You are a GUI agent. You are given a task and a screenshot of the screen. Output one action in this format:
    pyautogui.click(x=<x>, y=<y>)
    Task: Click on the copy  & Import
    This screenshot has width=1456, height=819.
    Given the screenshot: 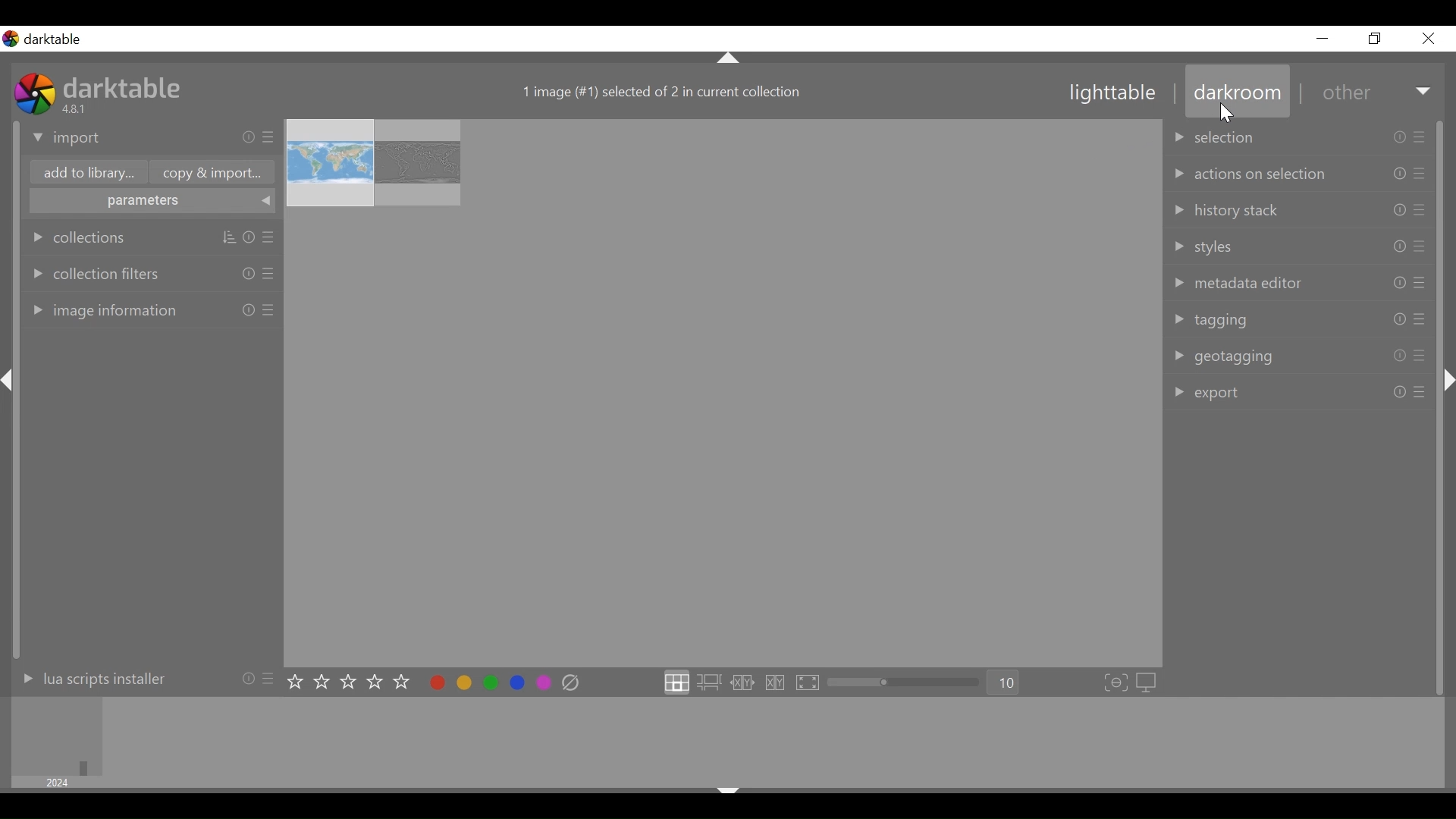 What is the action you would take?
    pyautogui.click(x=216, y=172)
    